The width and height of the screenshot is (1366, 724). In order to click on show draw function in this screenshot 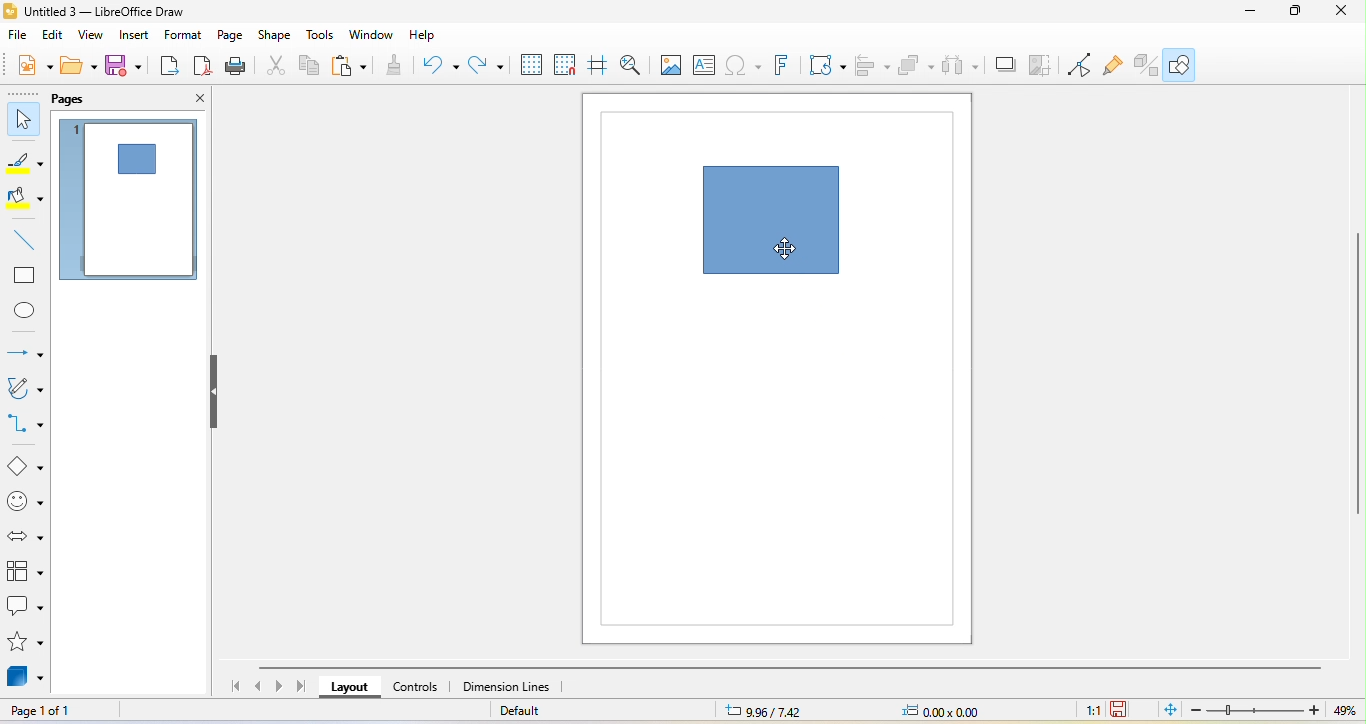, I will do `click(1187, 67)`.